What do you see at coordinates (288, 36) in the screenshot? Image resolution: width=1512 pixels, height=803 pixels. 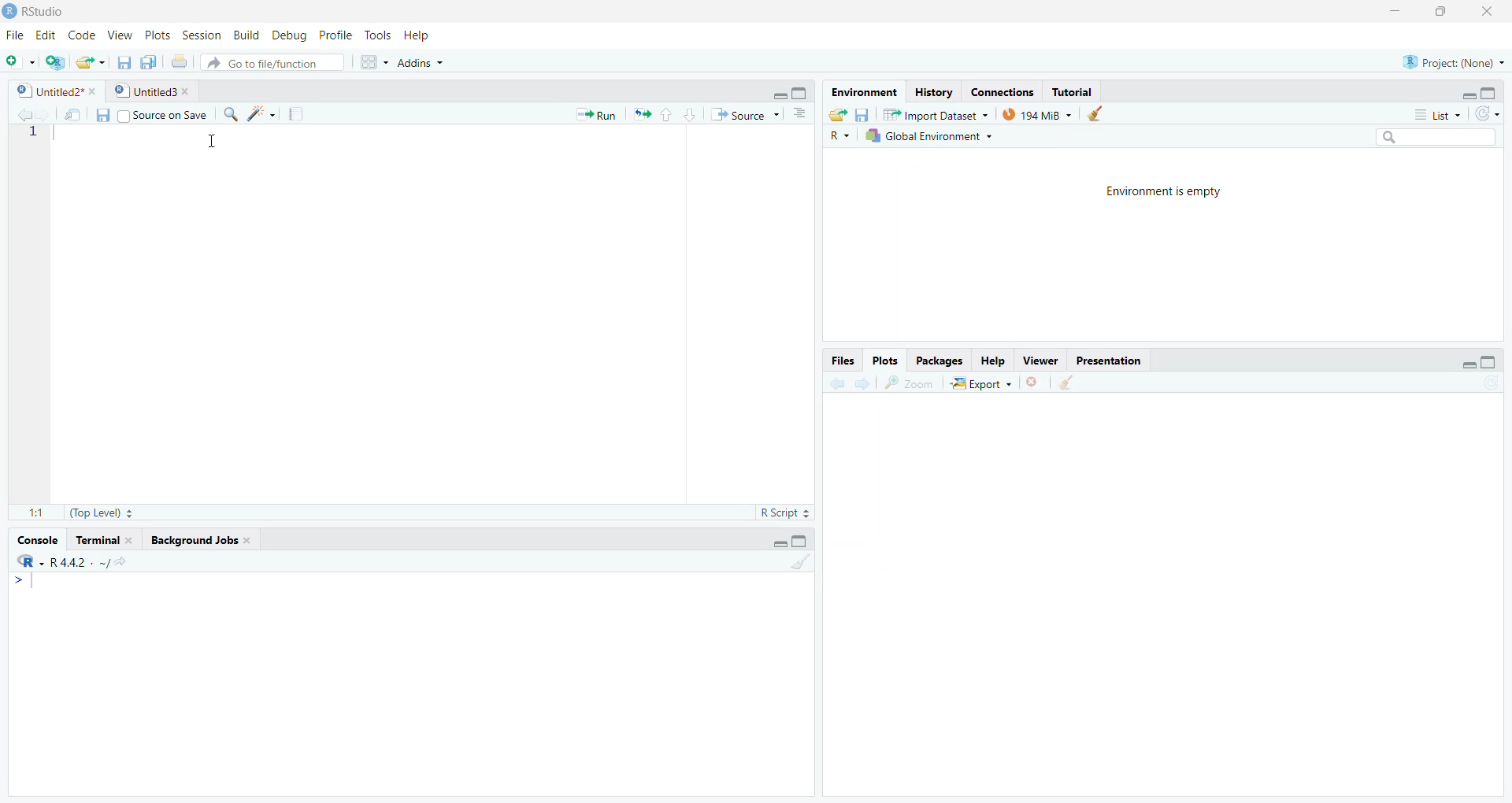 I see `Debug` at bounding box center [288, 36].